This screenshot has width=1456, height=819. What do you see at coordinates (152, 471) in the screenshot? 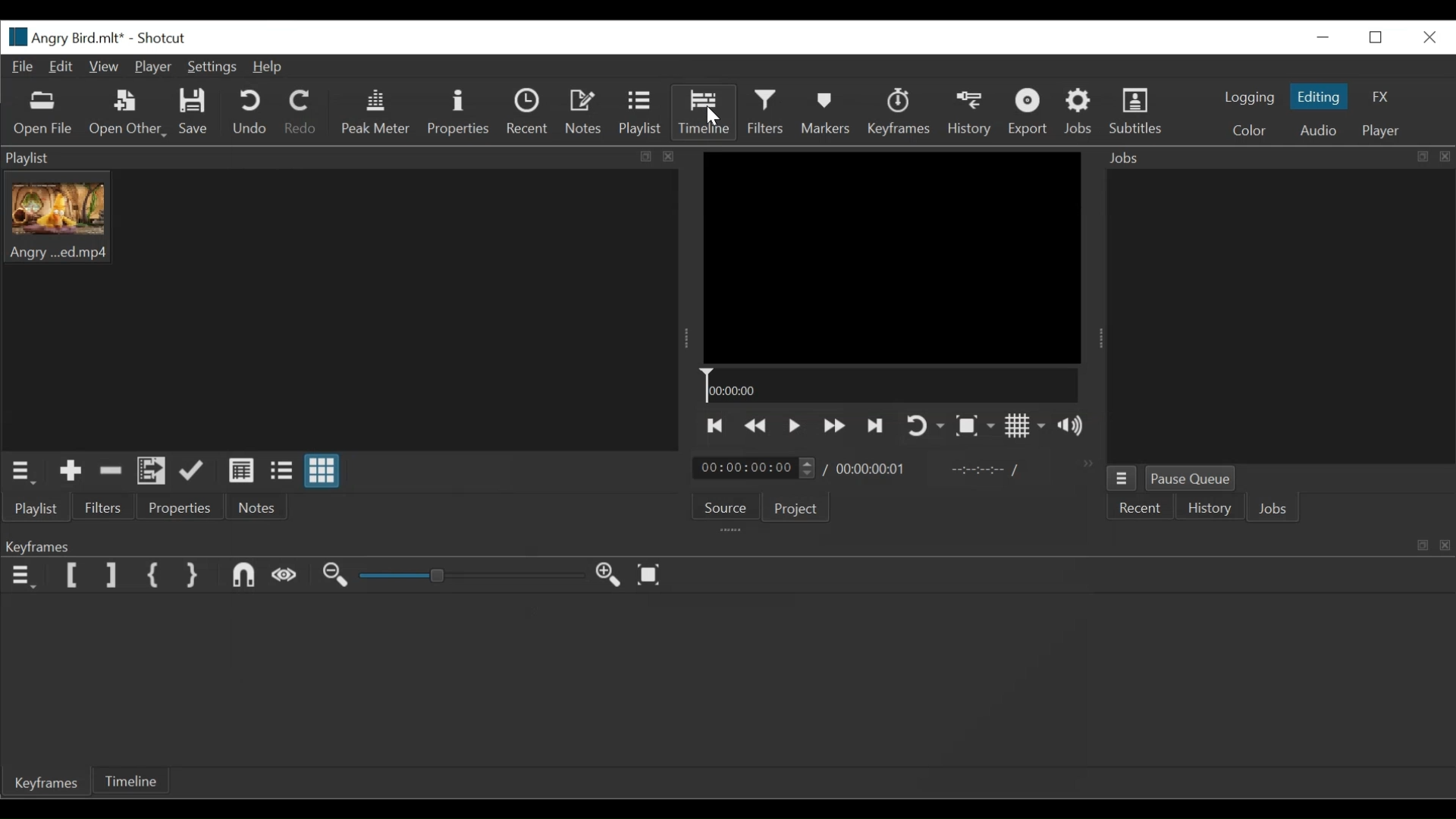
I see `Add the playlist to` at bounding box center [152, 471].